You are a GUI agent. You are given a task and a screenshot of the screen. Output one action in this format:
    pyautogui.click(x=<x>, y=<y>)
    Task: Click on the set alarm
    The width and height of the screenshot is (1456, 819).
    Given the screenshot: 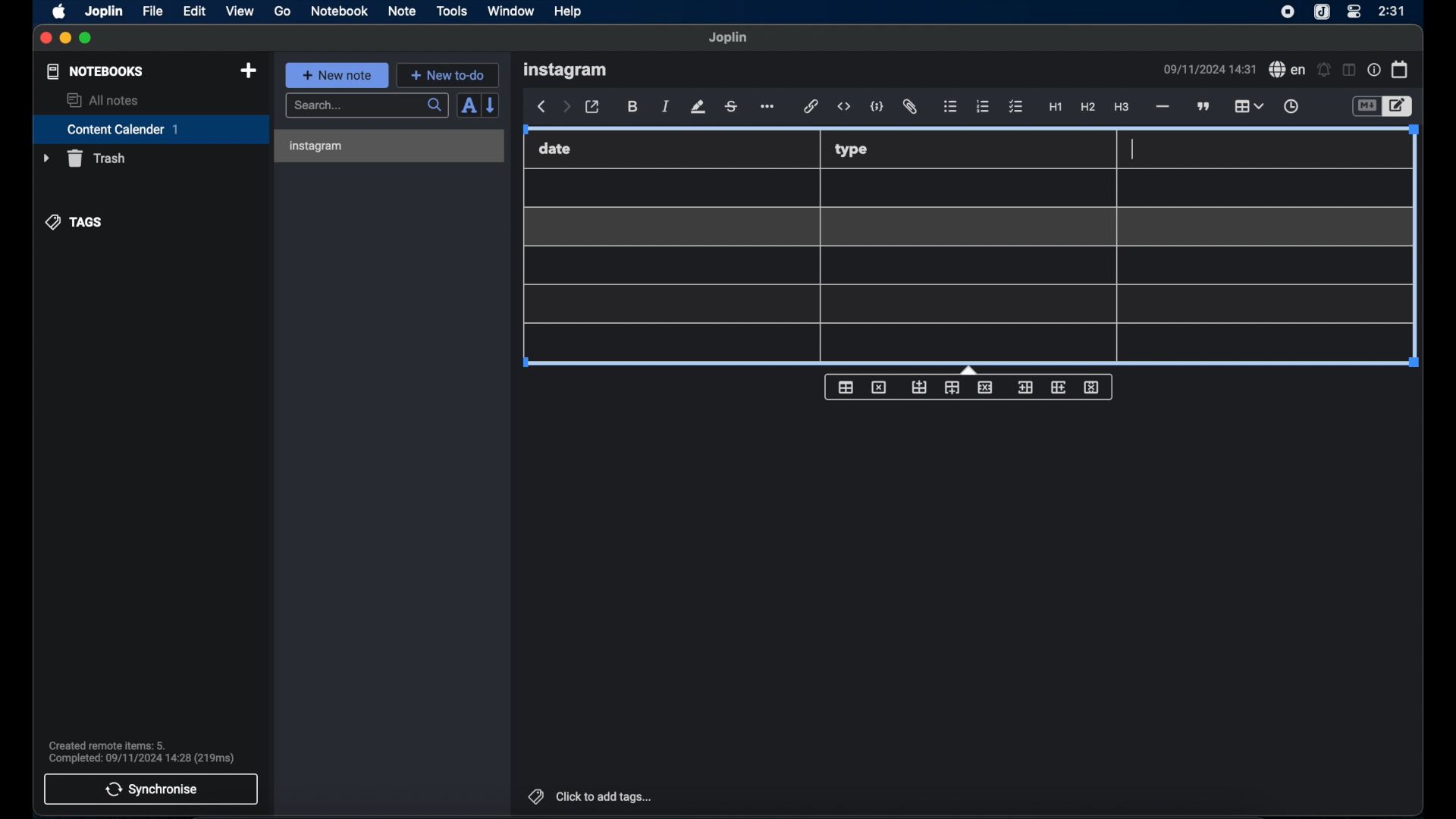 What is the action you would take?
    pyautogui.click(x=1324, y=69)
    